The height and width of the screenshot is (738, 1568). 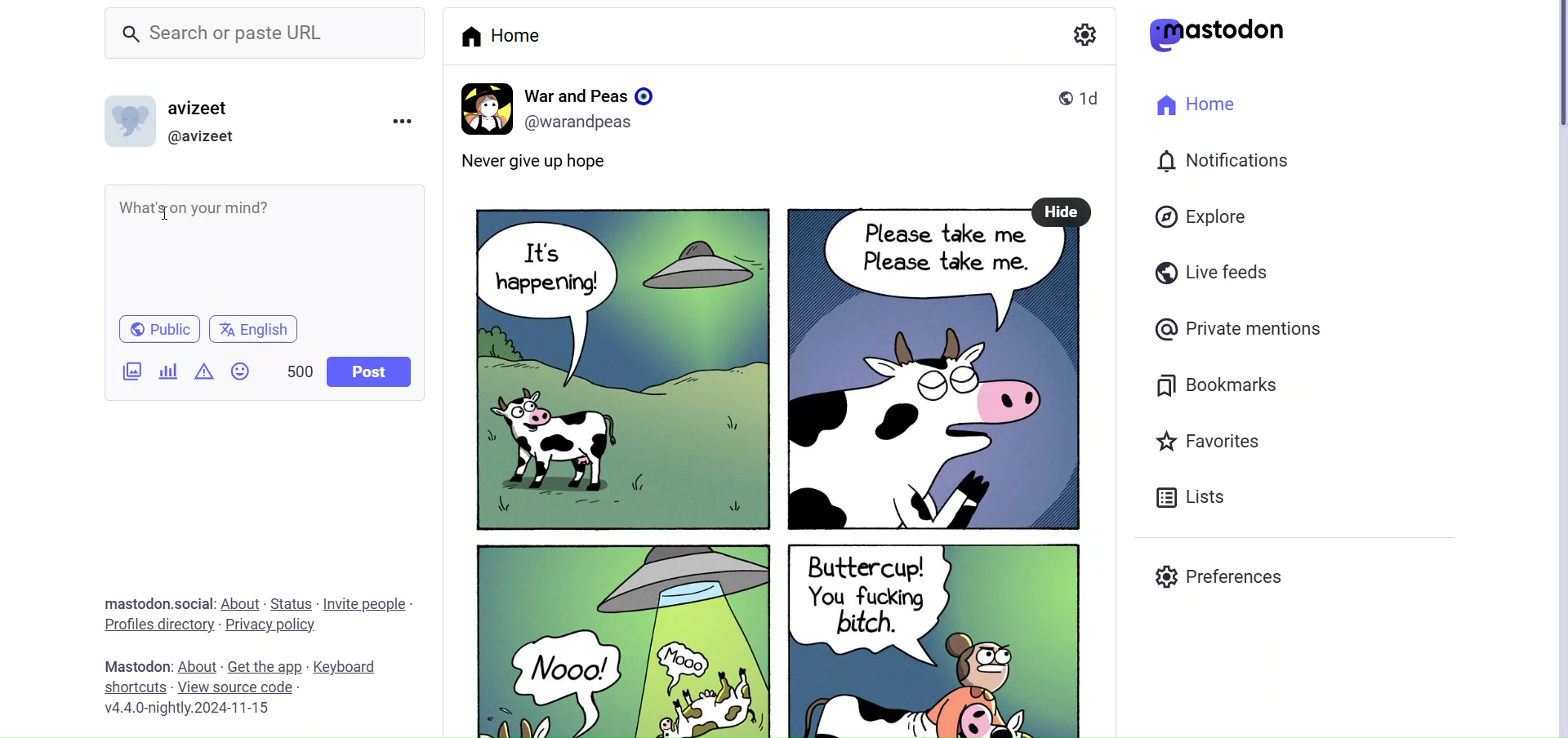 What do you see at coordinates (1240, 328) in the screenshot?
I see `Private Mentions` at bounding box center [1240, 328].